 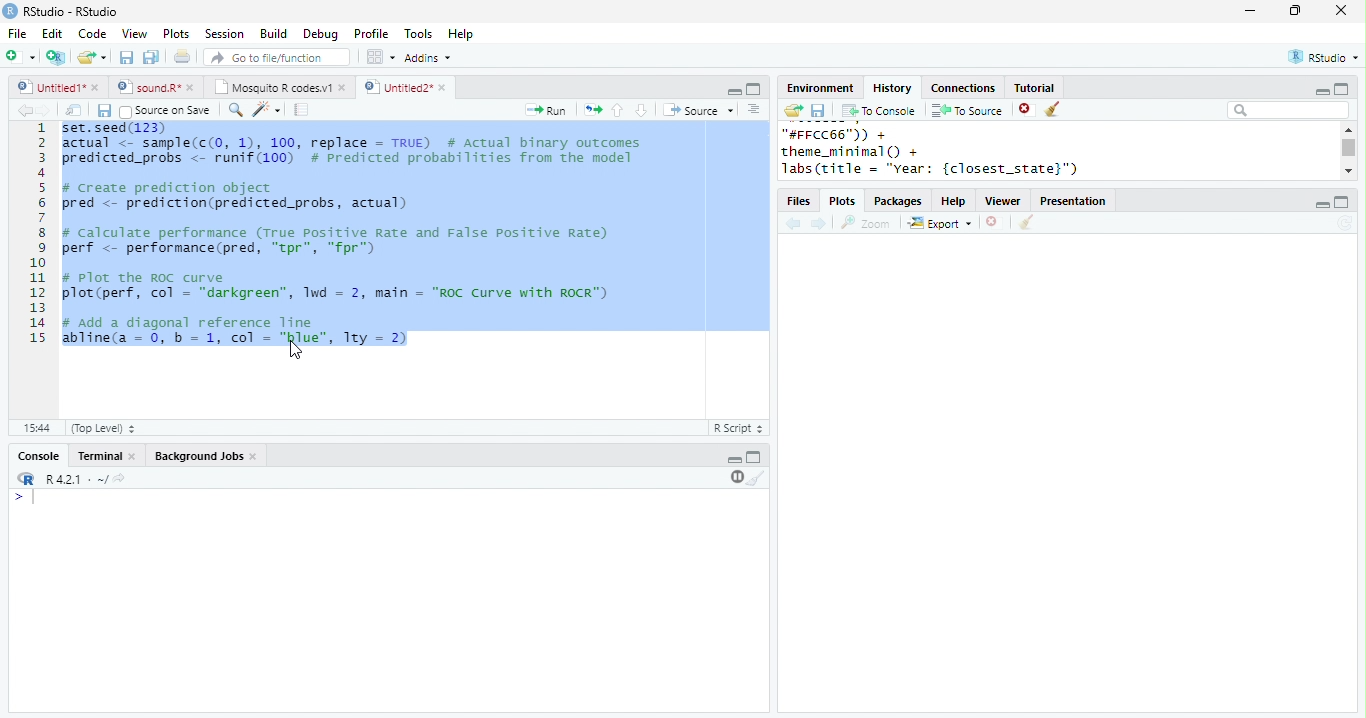 I want to click on Top Level, so click(x=105, y=428).